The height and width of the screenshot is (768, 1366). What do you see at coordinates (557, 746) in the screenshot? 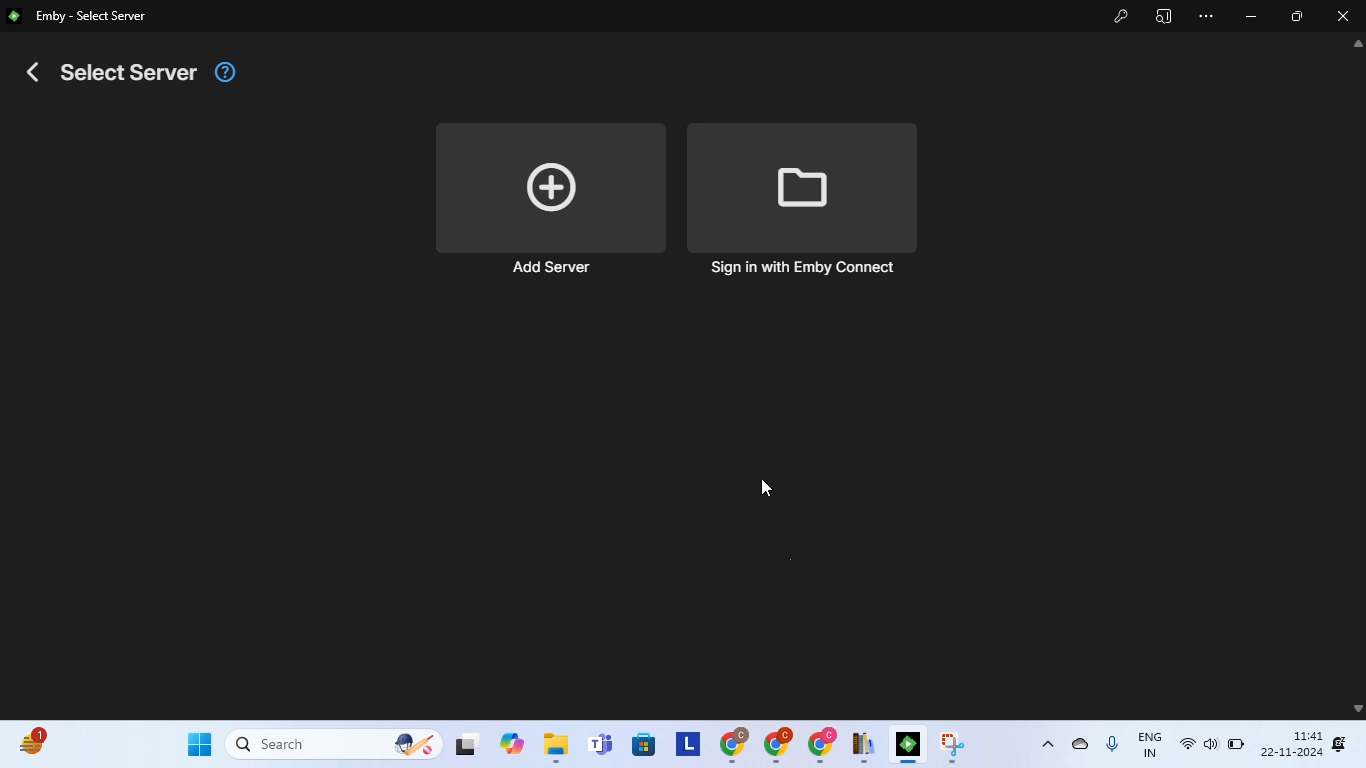
I see `files` at bounding box center [557, 746].